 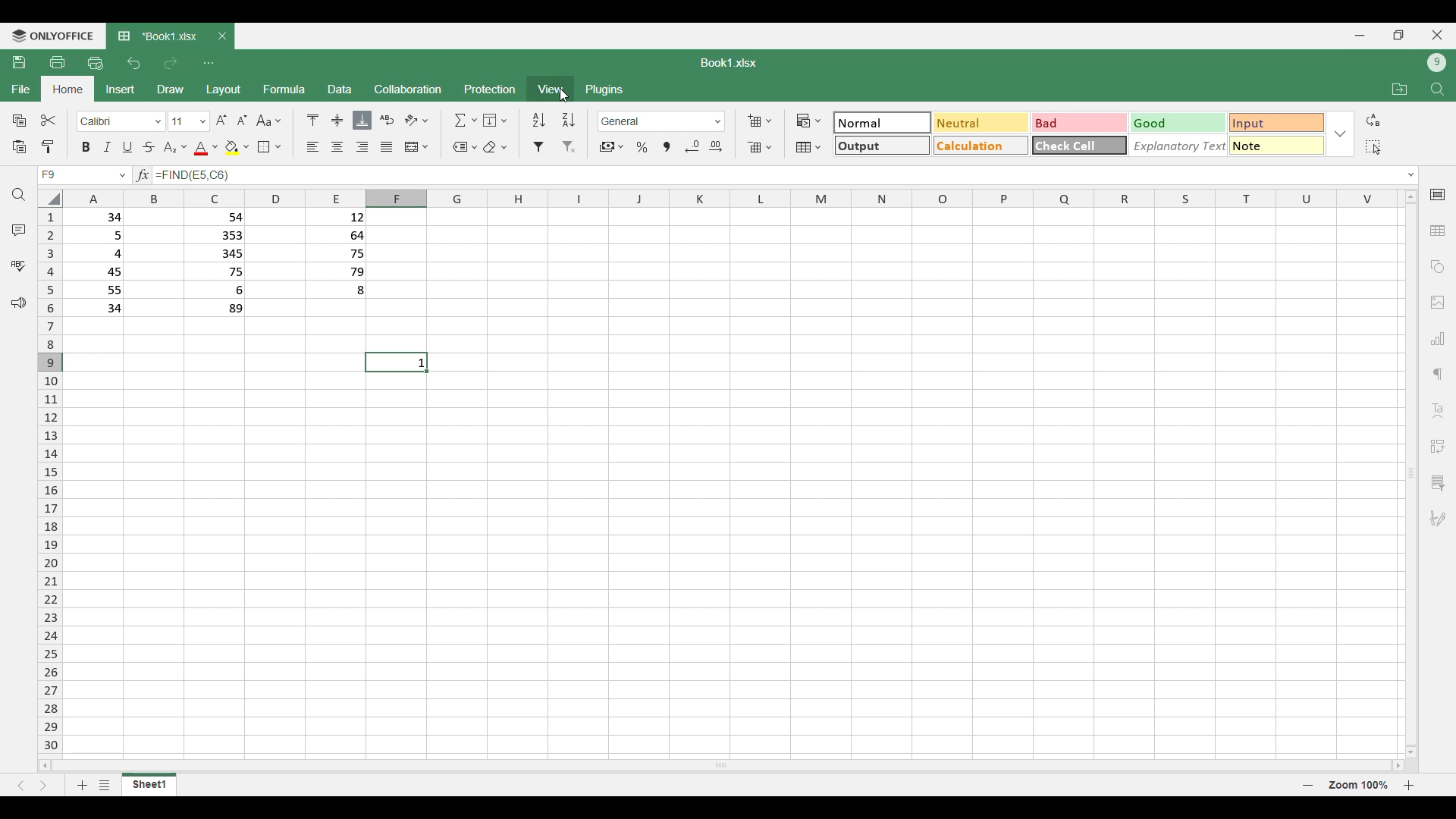 I want to click on Collaboration menu, so click(x=407, y=89).